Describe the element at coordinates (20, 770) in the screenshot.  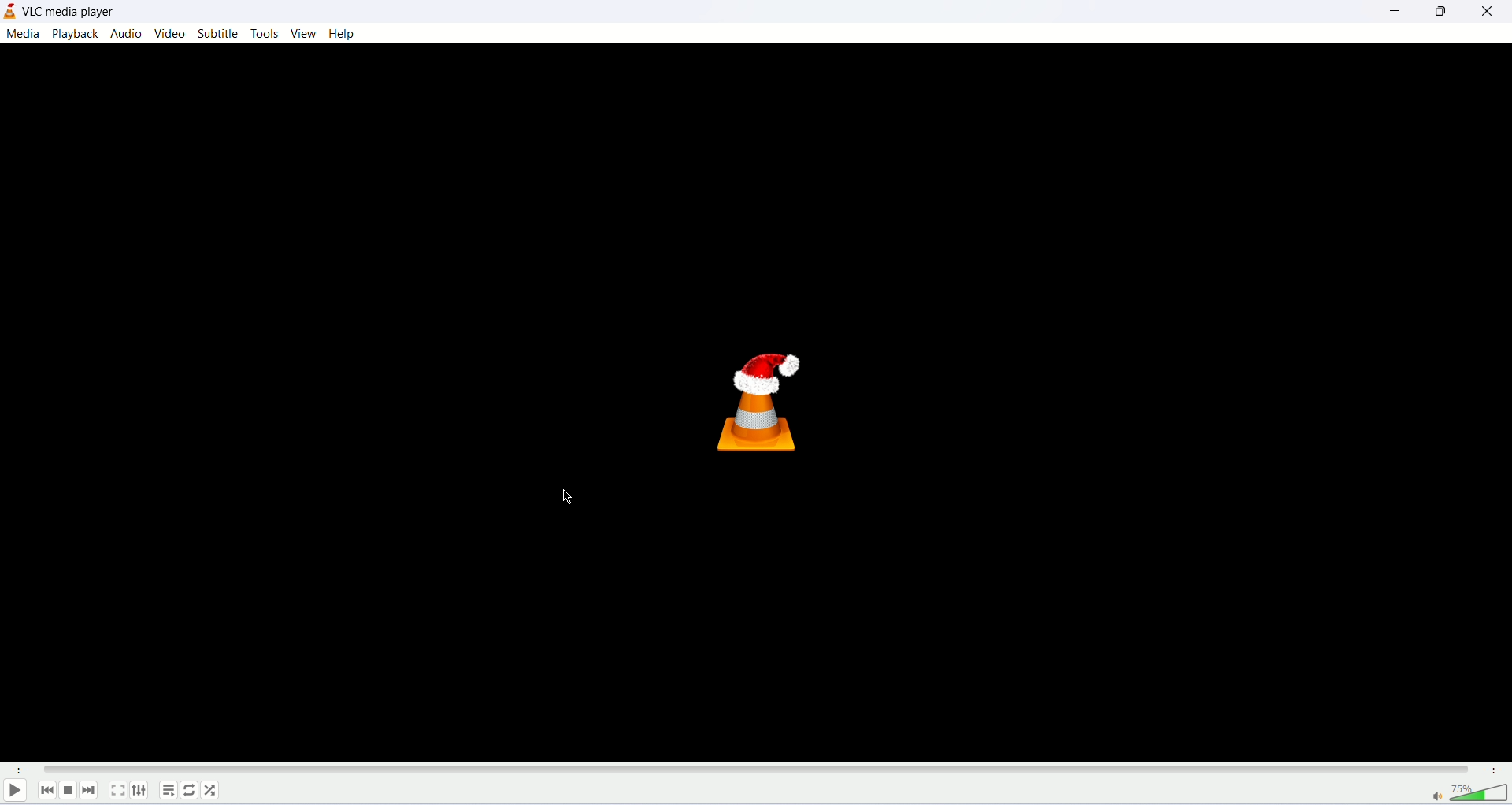
I see `elapsed` at that location.